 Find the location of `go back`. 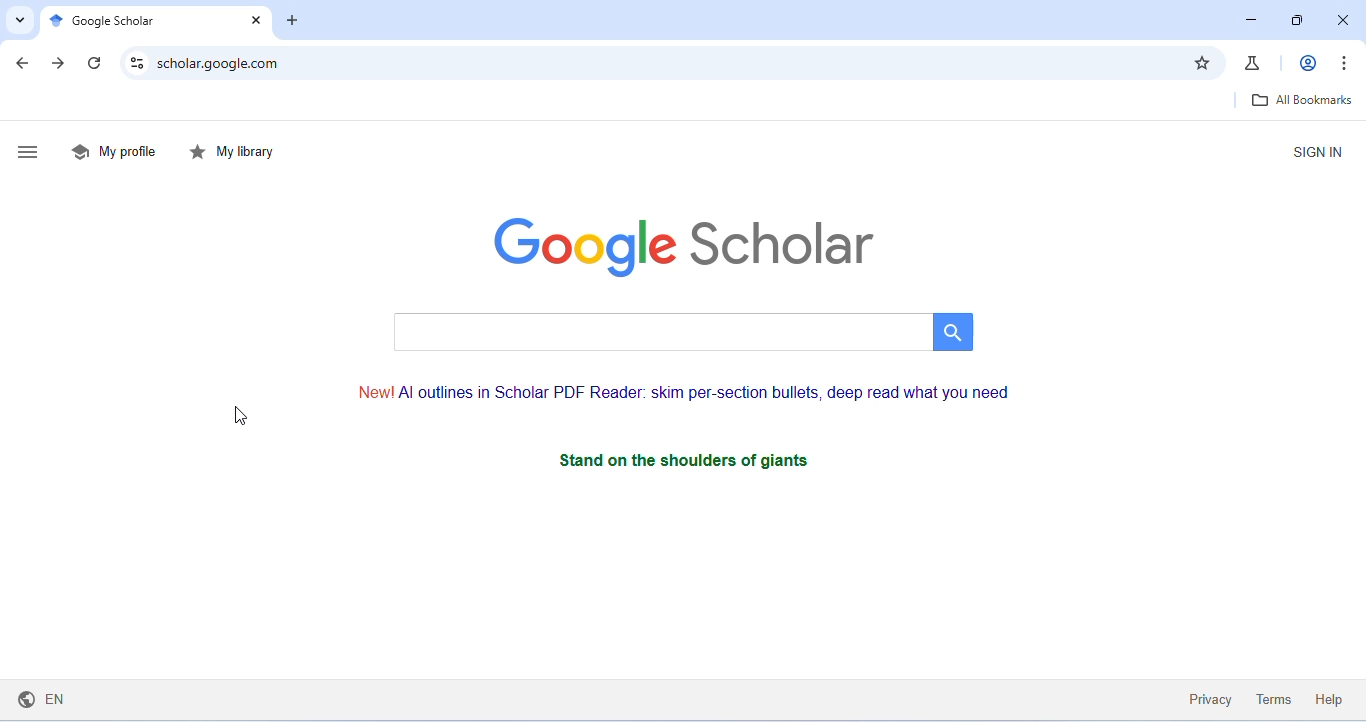

go back is located at coordinates (26, 64).